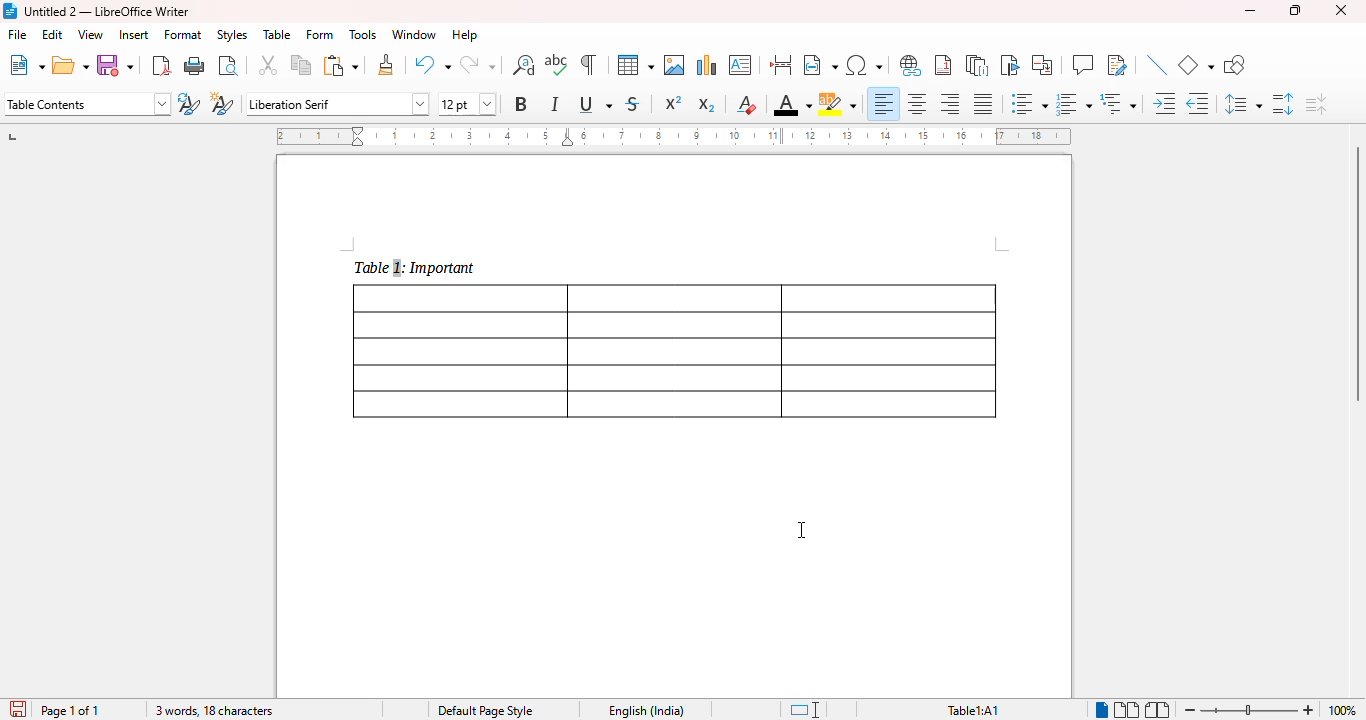 This screenshot has height=720, width=1366. I want to click on font name, so click(337, 105).